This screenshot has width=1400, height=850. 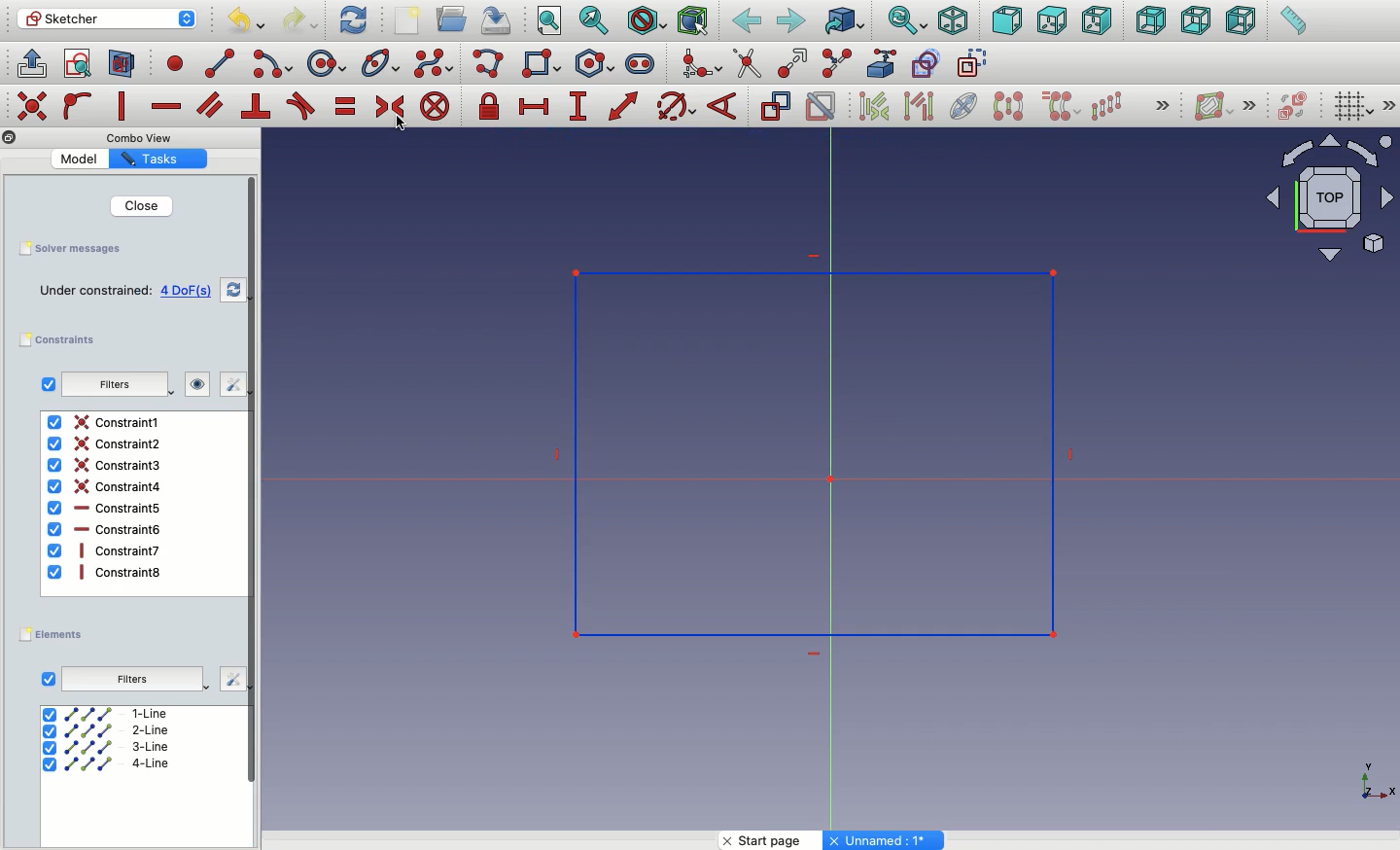 What do you see at coordinates (1292, 22) in the screenshot?
I see `Measure` at bounding box center [1292, 22].